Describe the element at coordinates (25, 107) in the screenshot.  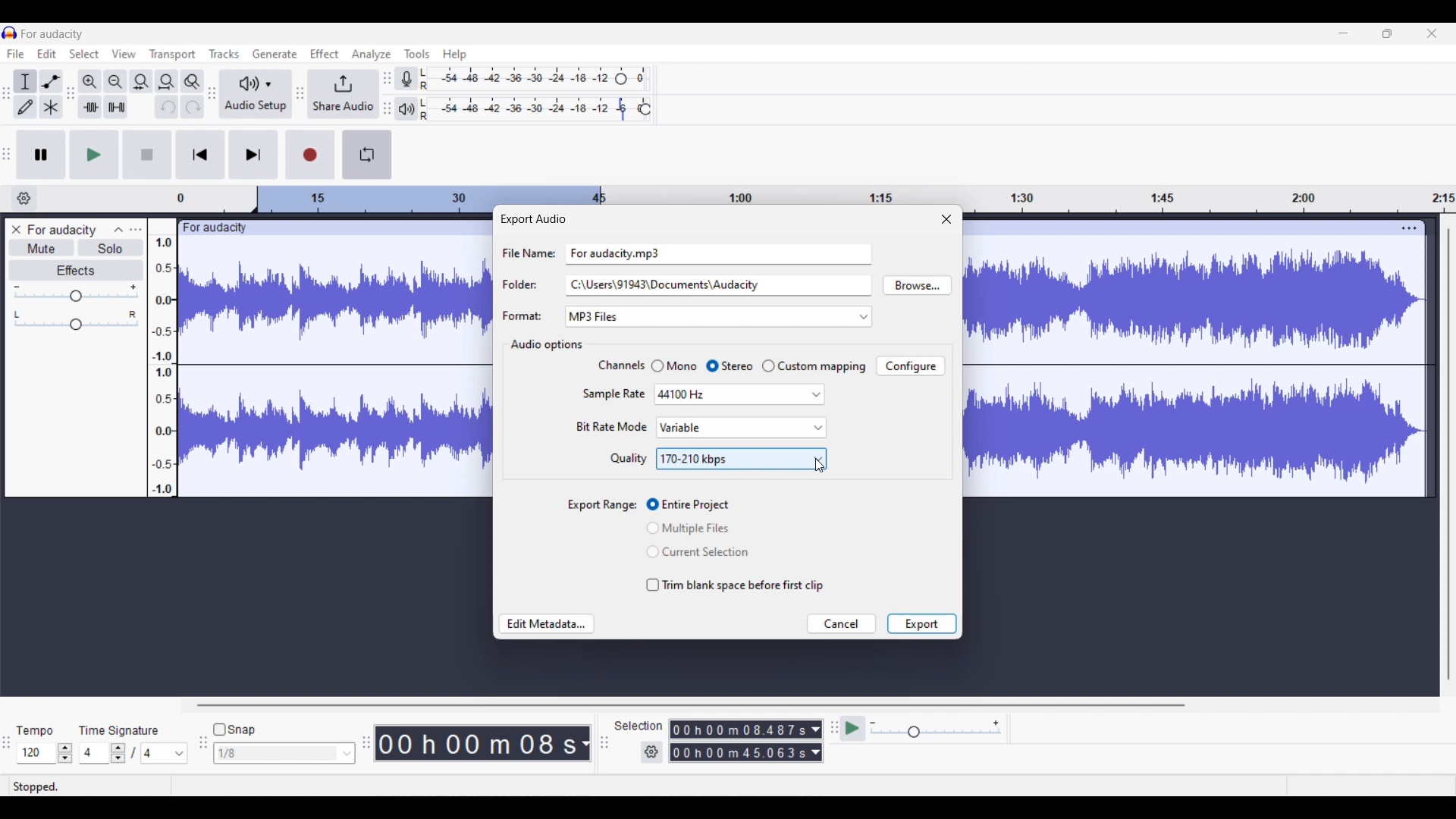
I see `Draw tool` at that location.